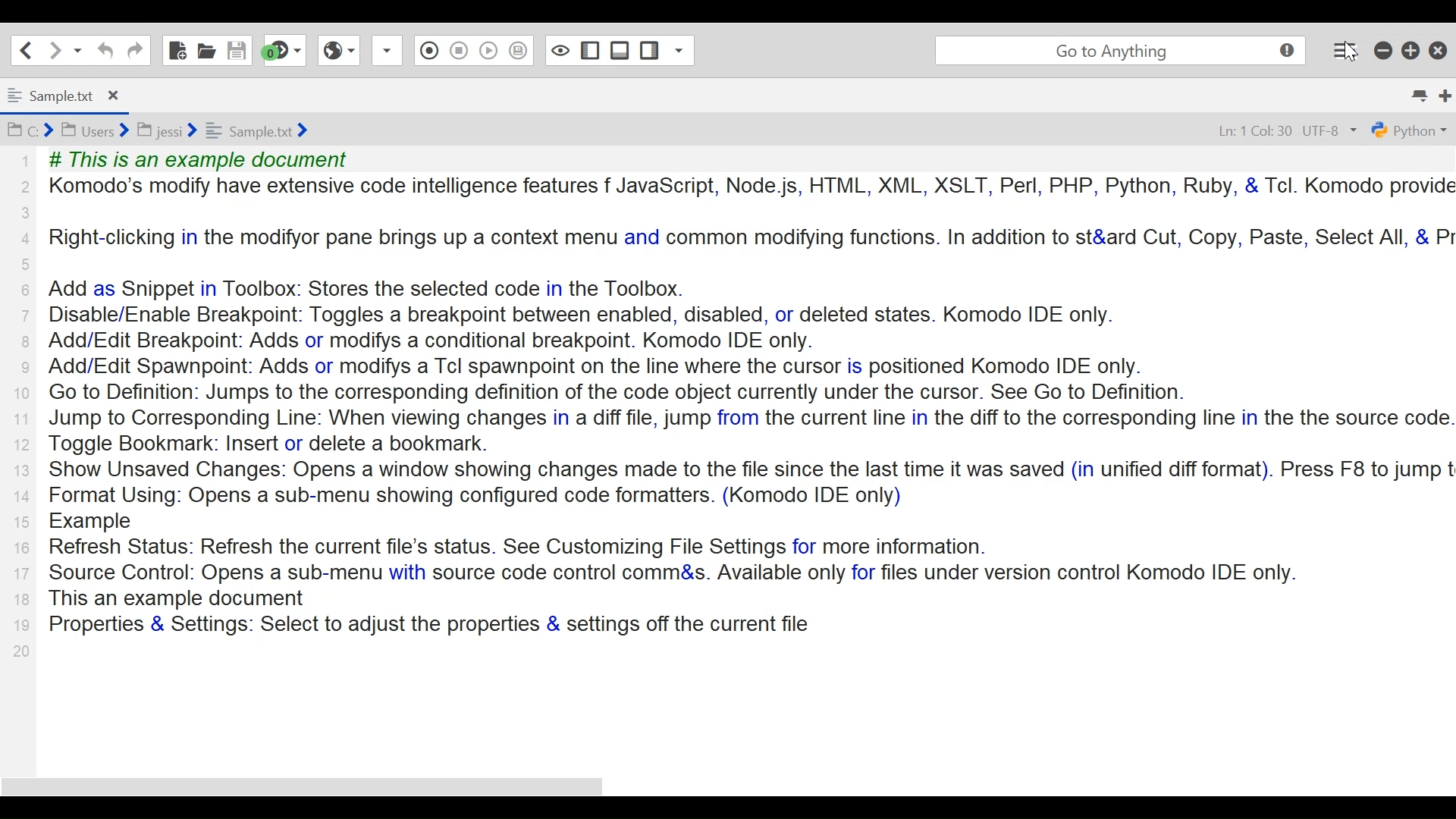 The width and height of the screenshot is (1456, 819). What do you see at coordinates (206, 49) in the screenshot?
I see `Open File` at bounding box center [206, 49].